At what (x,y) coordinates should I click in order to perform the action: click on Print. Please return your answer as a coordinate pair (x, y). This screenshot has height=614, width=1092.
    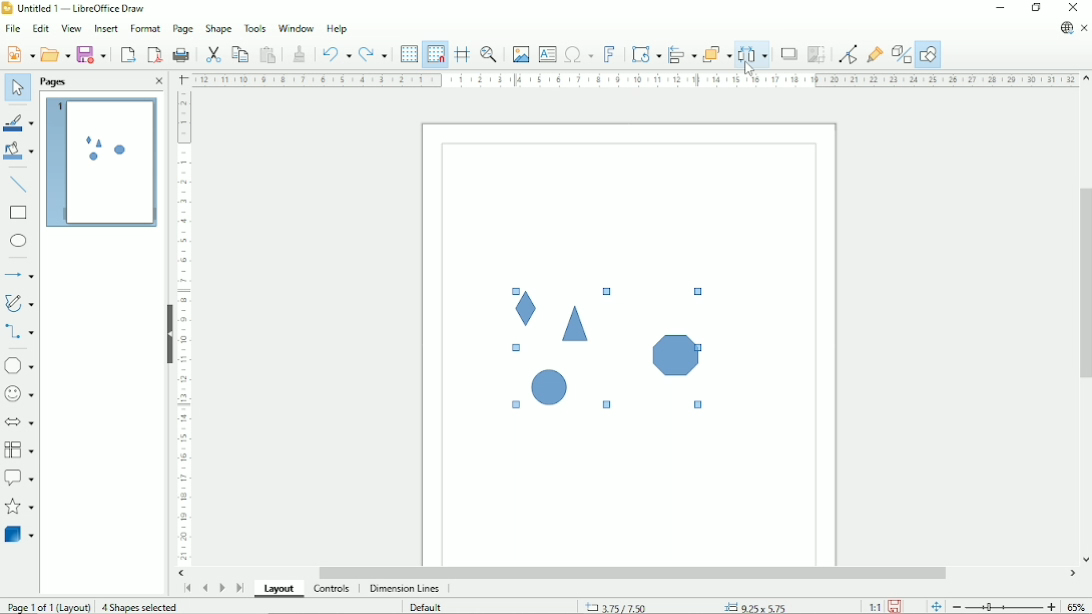
    Looking at the image, I should click on (181, 52).